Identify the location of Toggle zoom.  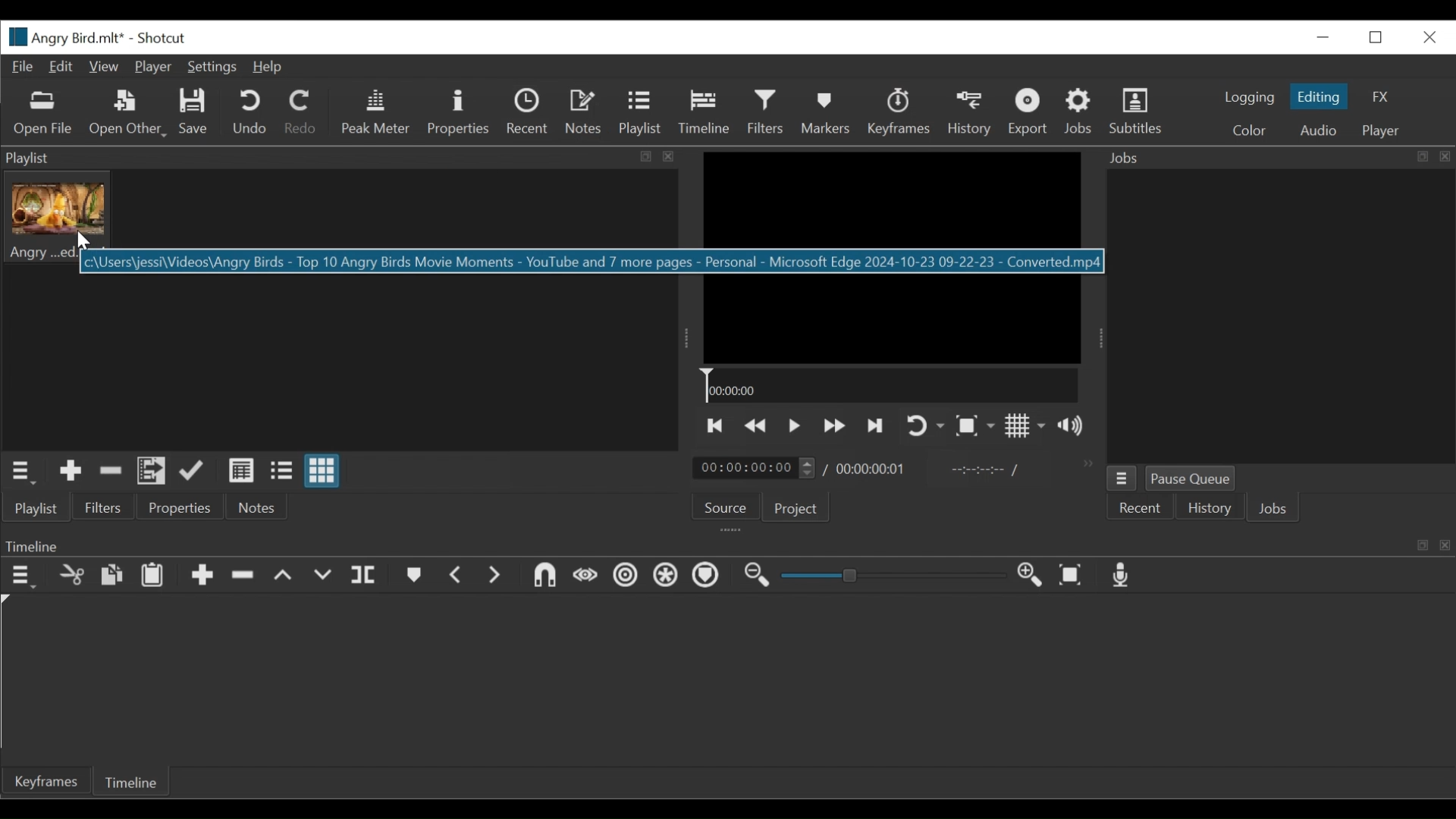
(977, 428).